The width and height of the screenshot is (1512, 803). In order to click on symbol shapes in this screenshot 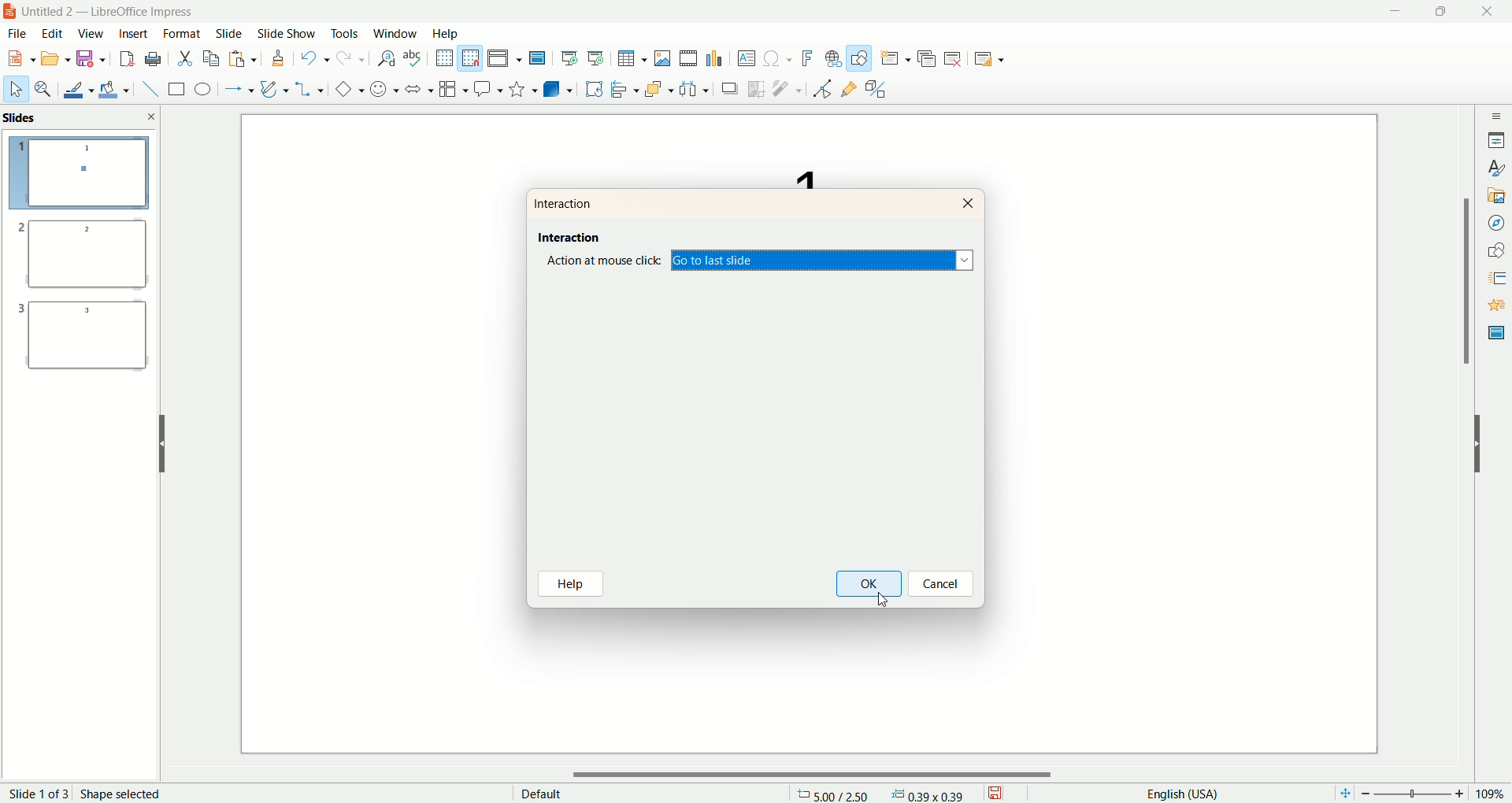, I will do `click(381, 90)`.